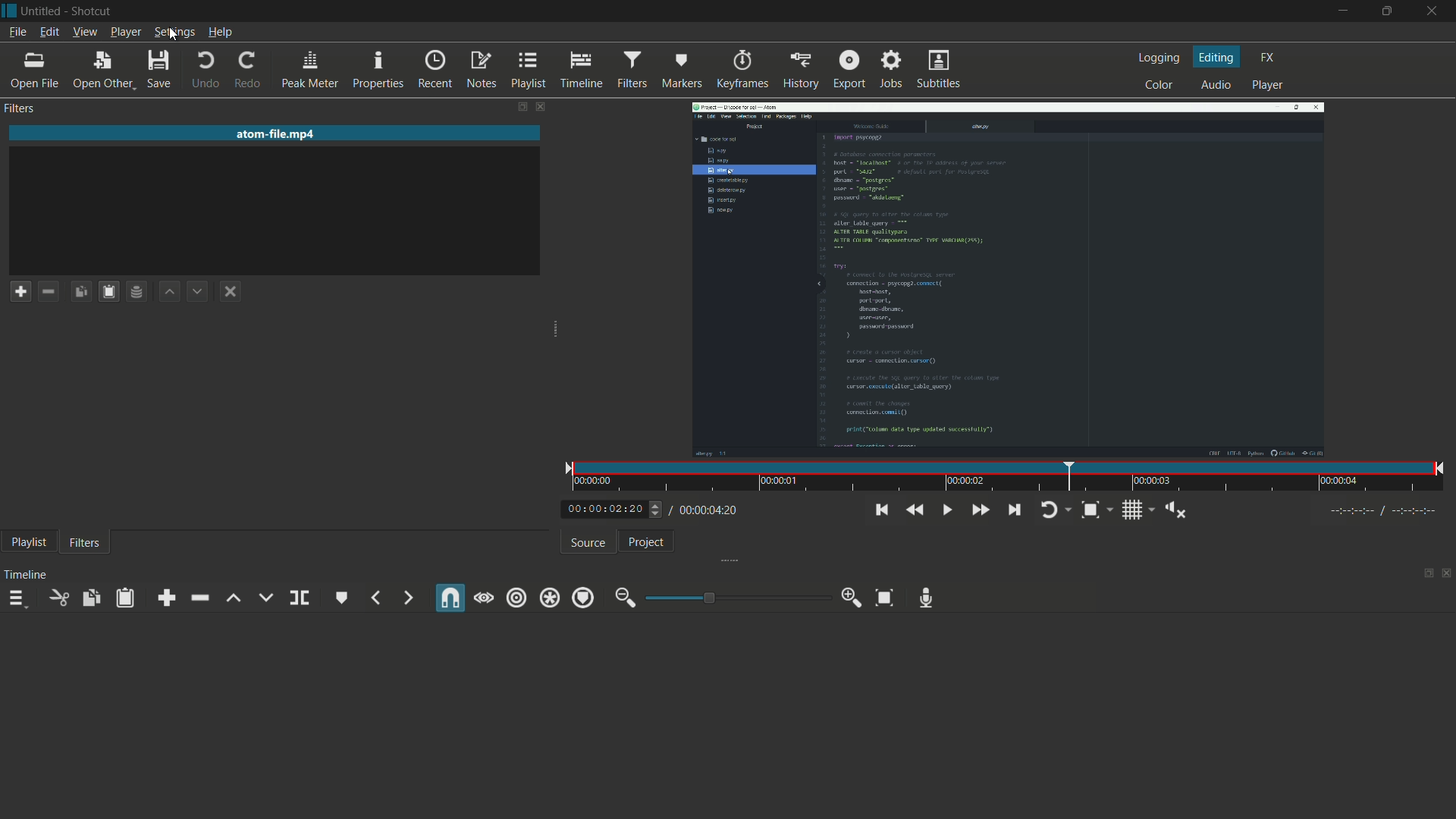 Image resolution: width=1456 pixels, height=819 pixels. Describe the element at coordinates (199, 598) in the screenshot. I see `ripple delete` at that location.